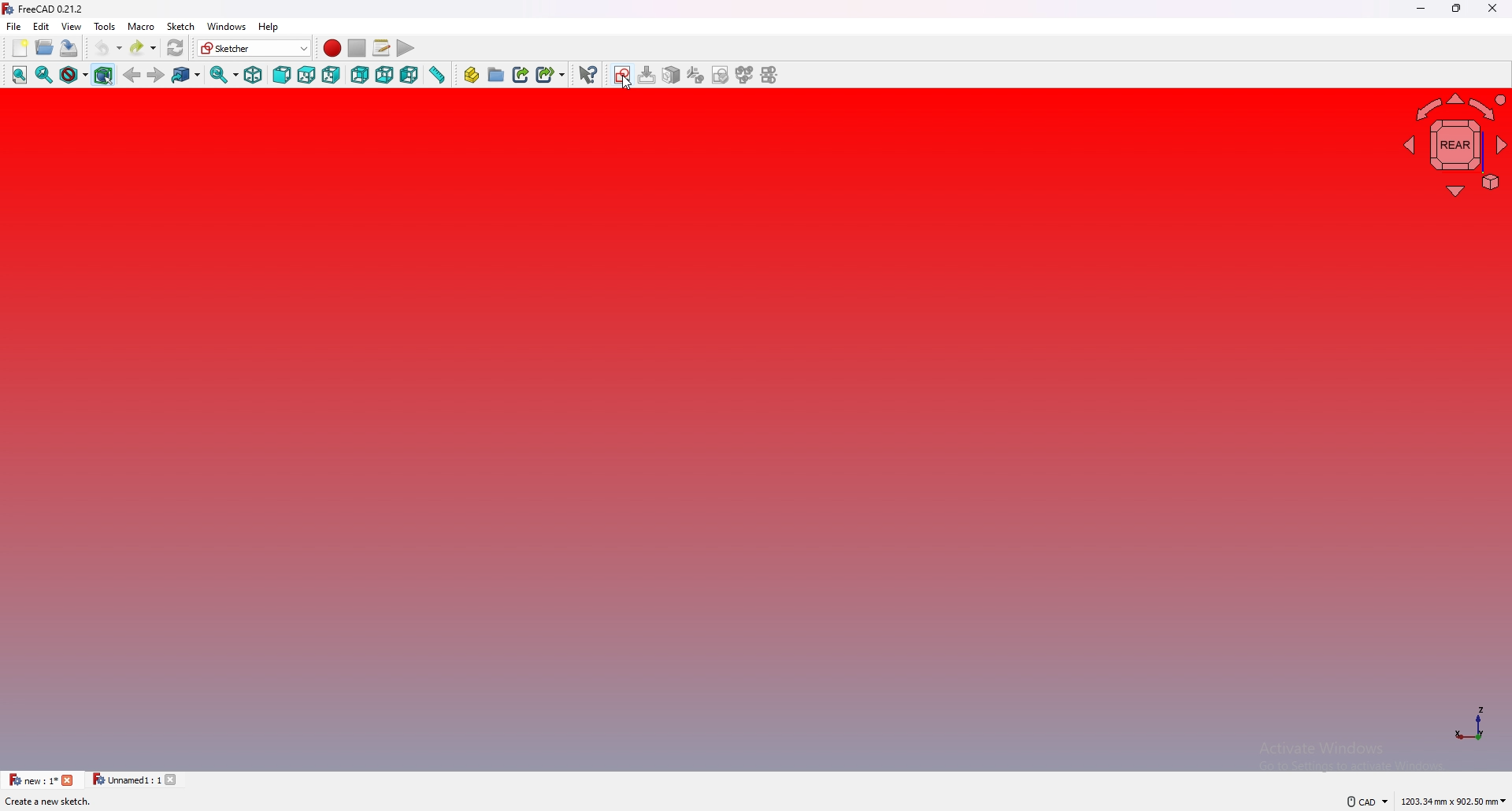  Describe the element at coordinates (306, 75) in the screenshot. I see `top` at that location.